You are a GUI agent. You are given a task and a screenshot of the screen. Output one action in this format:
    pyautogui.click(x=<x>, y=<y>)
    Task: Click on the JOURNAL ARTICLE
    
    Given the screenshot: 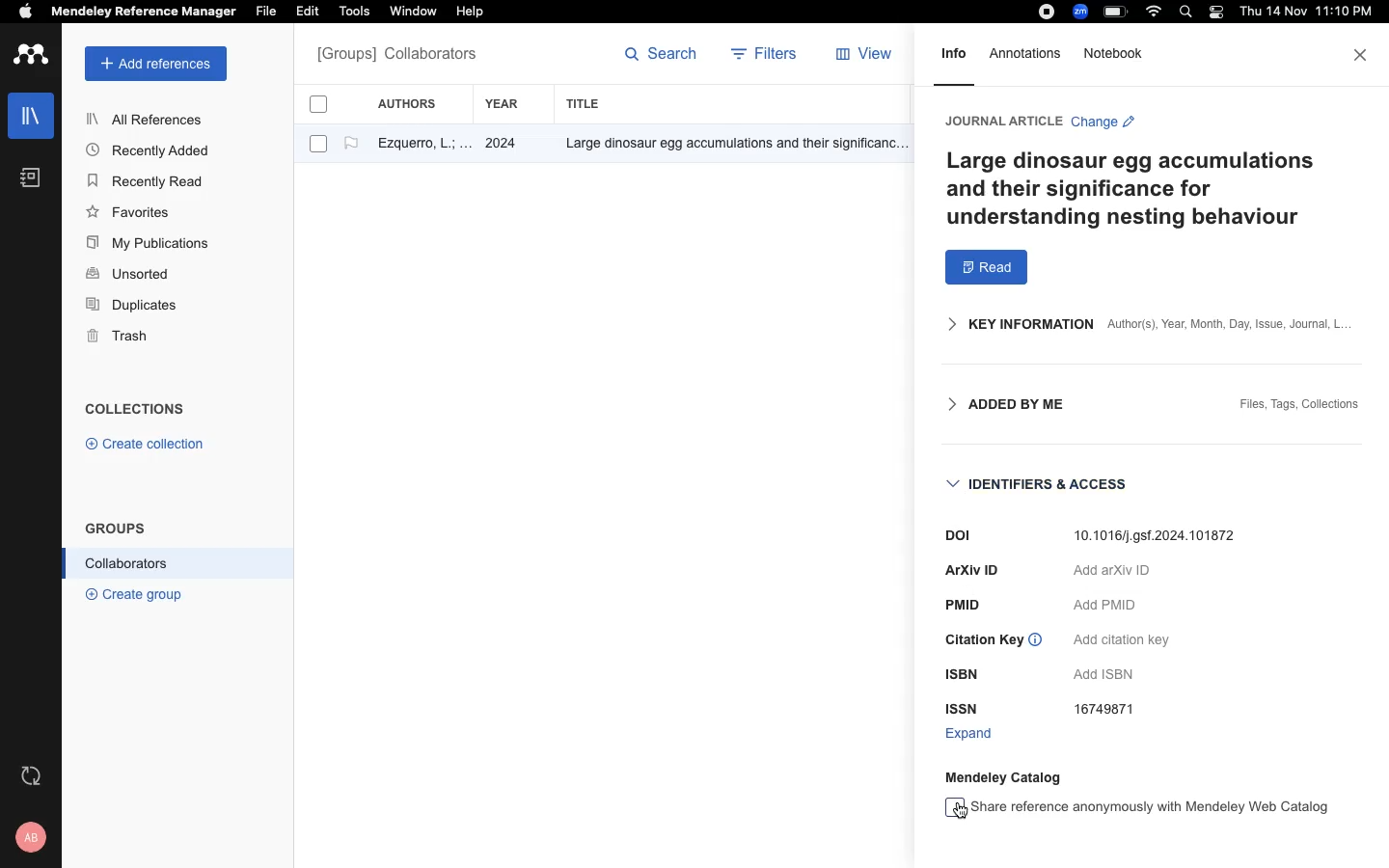 What is the action you would take?
    pyautogui.click(x=1001, y=121)
    